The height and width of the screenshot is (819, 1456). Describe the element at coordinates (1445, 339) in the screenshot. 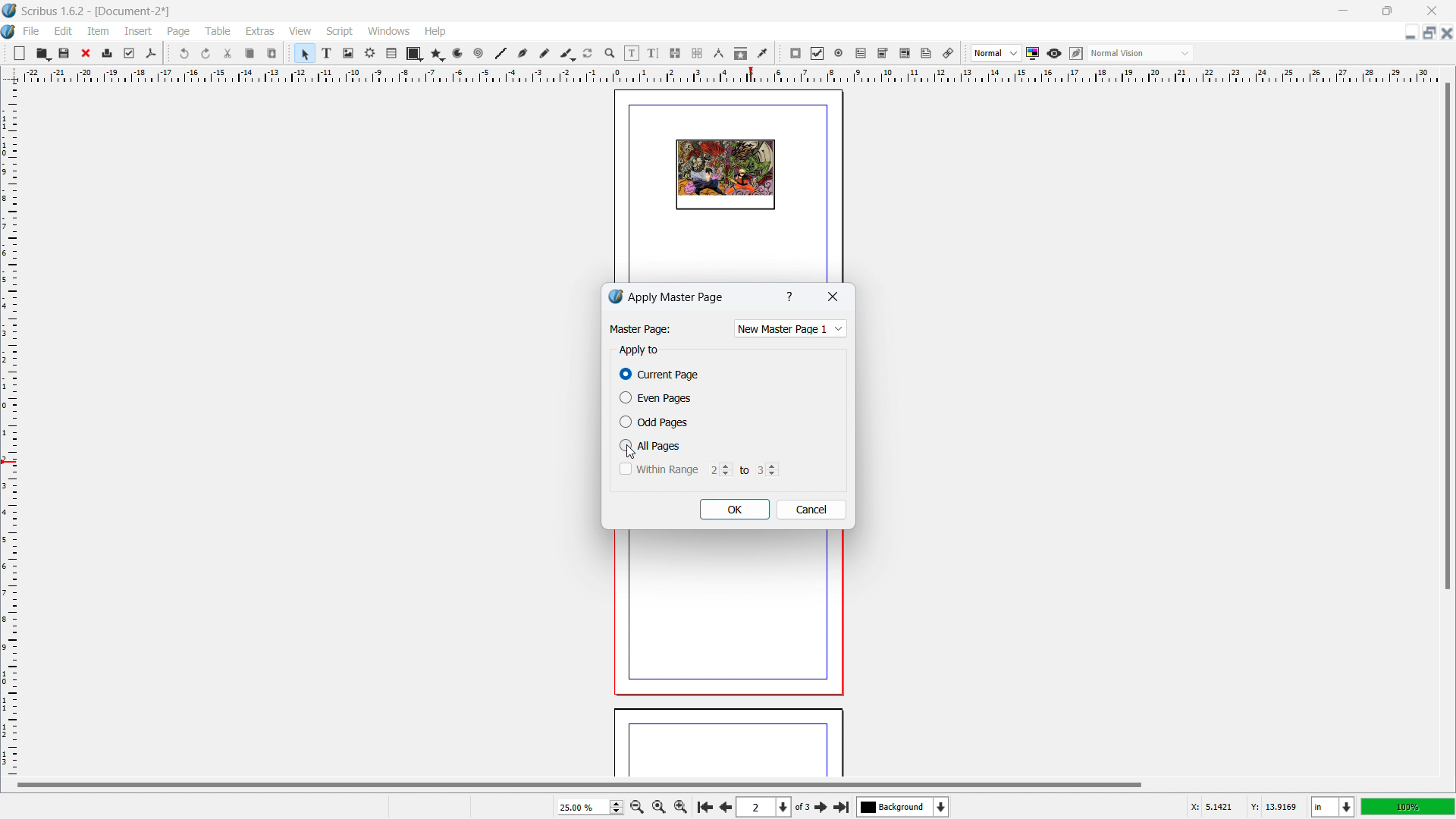

I see `vertical scroll bar` at that location.